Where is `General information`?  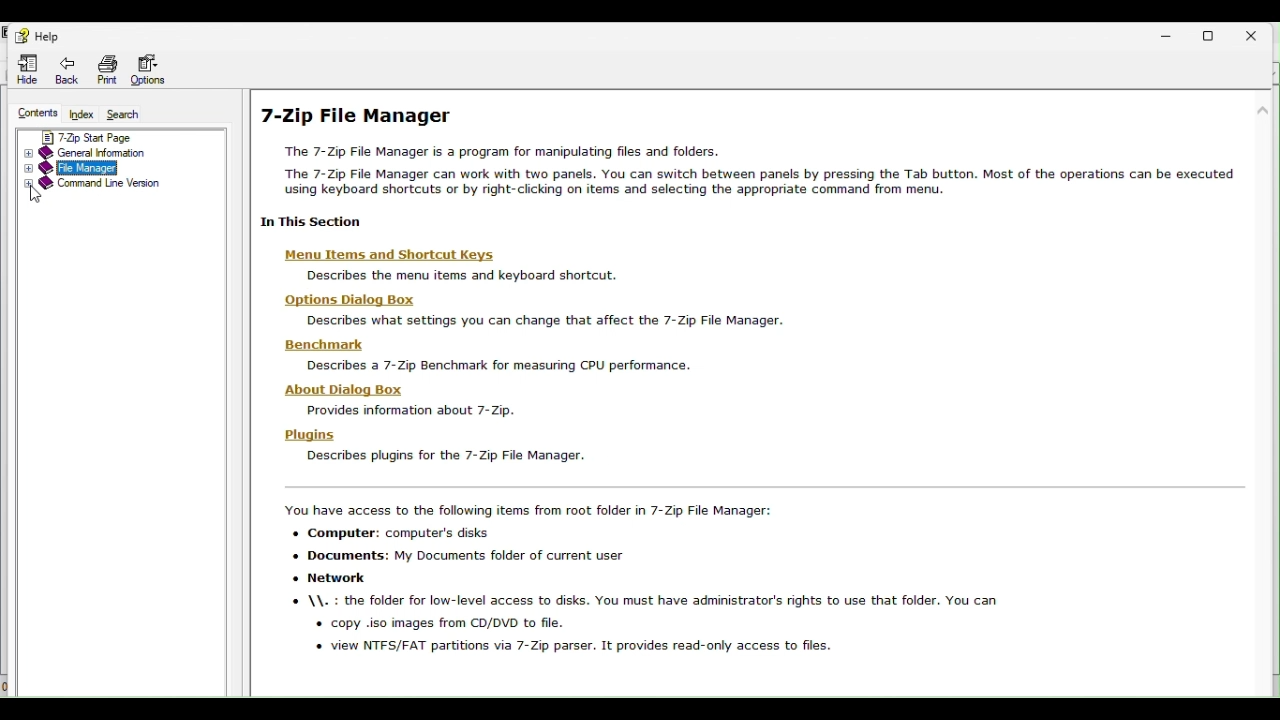 General information is located at coordinates (95, 154).